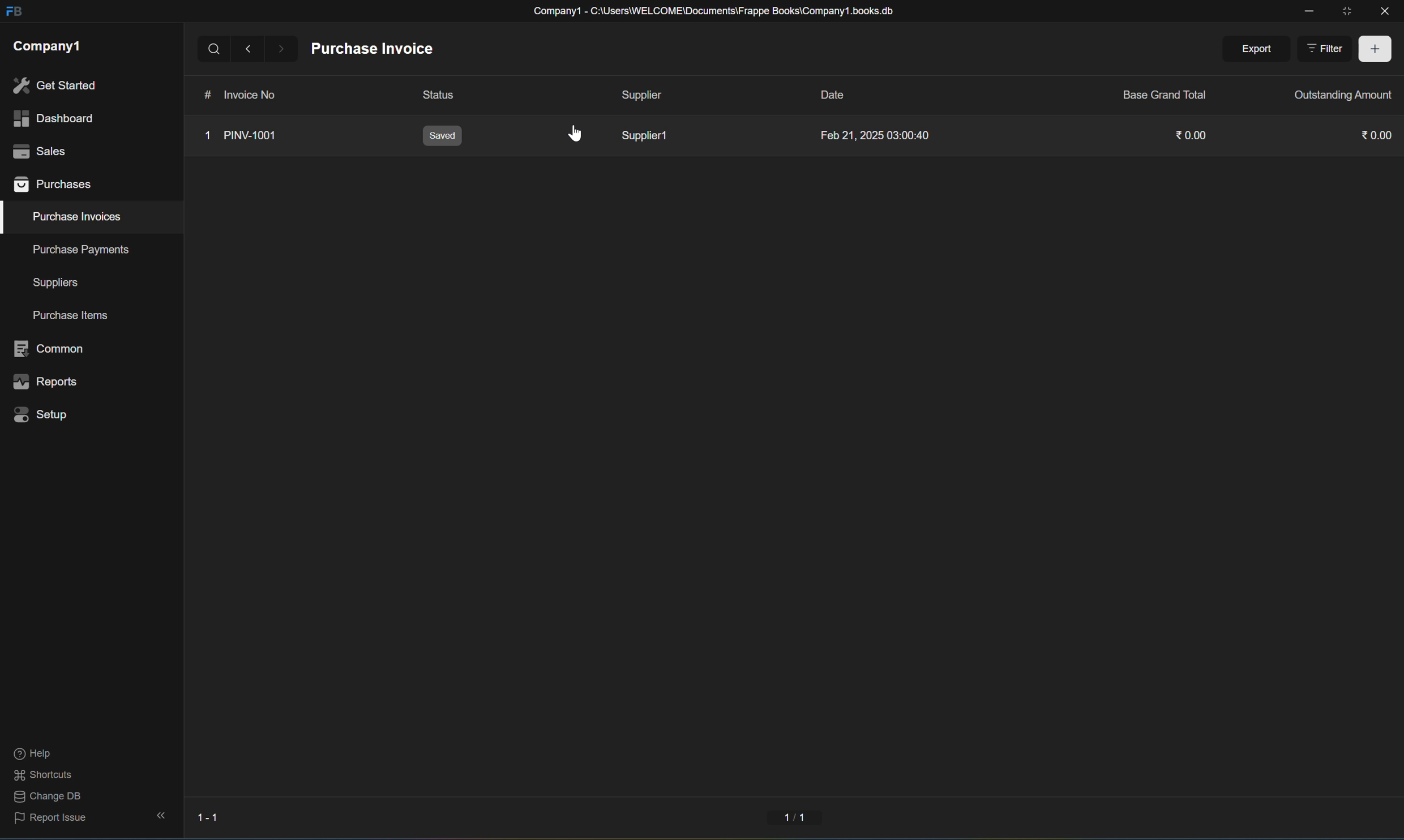 Image resolution: width=1404 pixels, height=840 pixels. I want to click on outstanding amount, so click(1342, 94).